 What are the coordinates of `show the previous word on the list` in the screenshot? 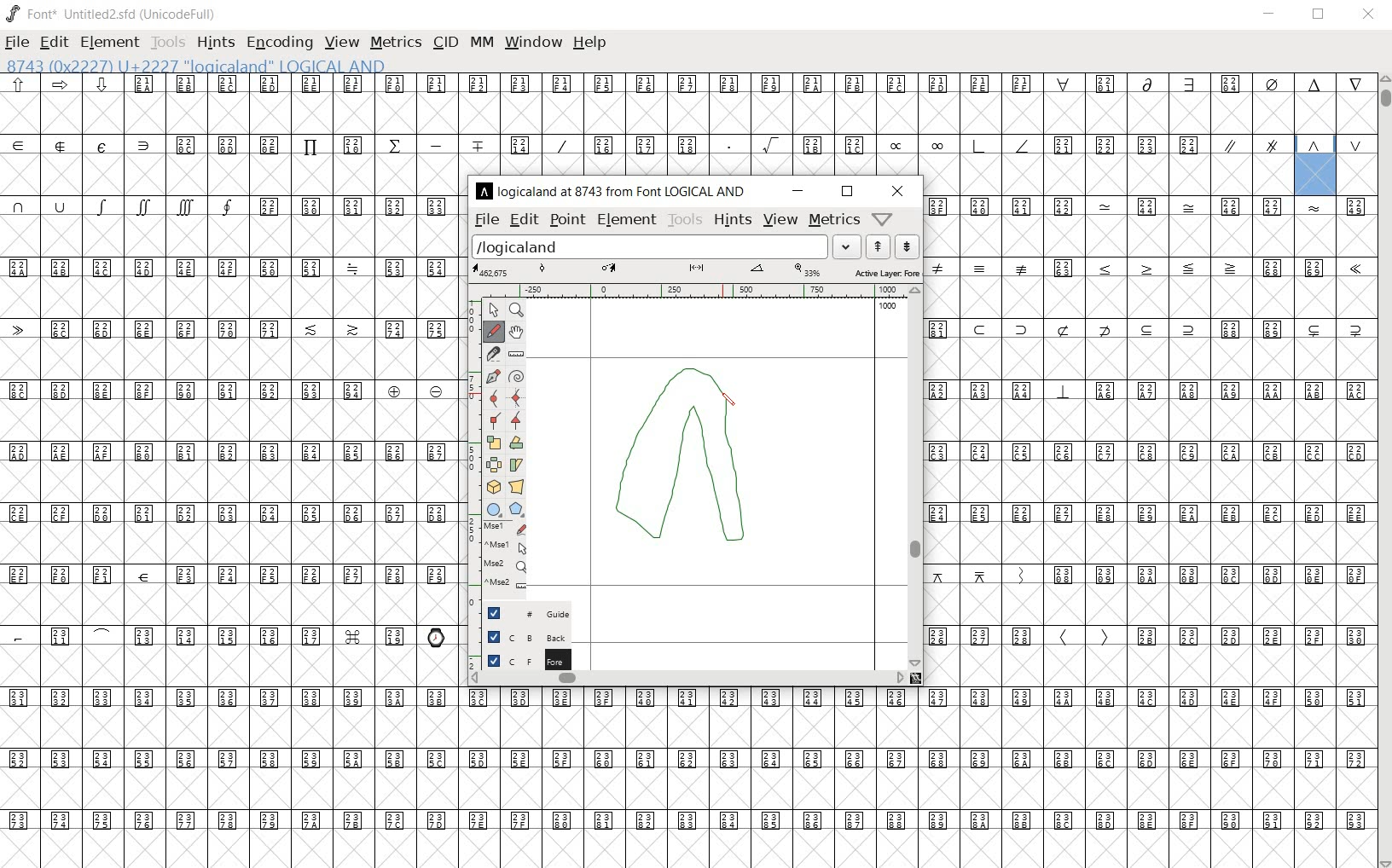 It's located at (907, 248).